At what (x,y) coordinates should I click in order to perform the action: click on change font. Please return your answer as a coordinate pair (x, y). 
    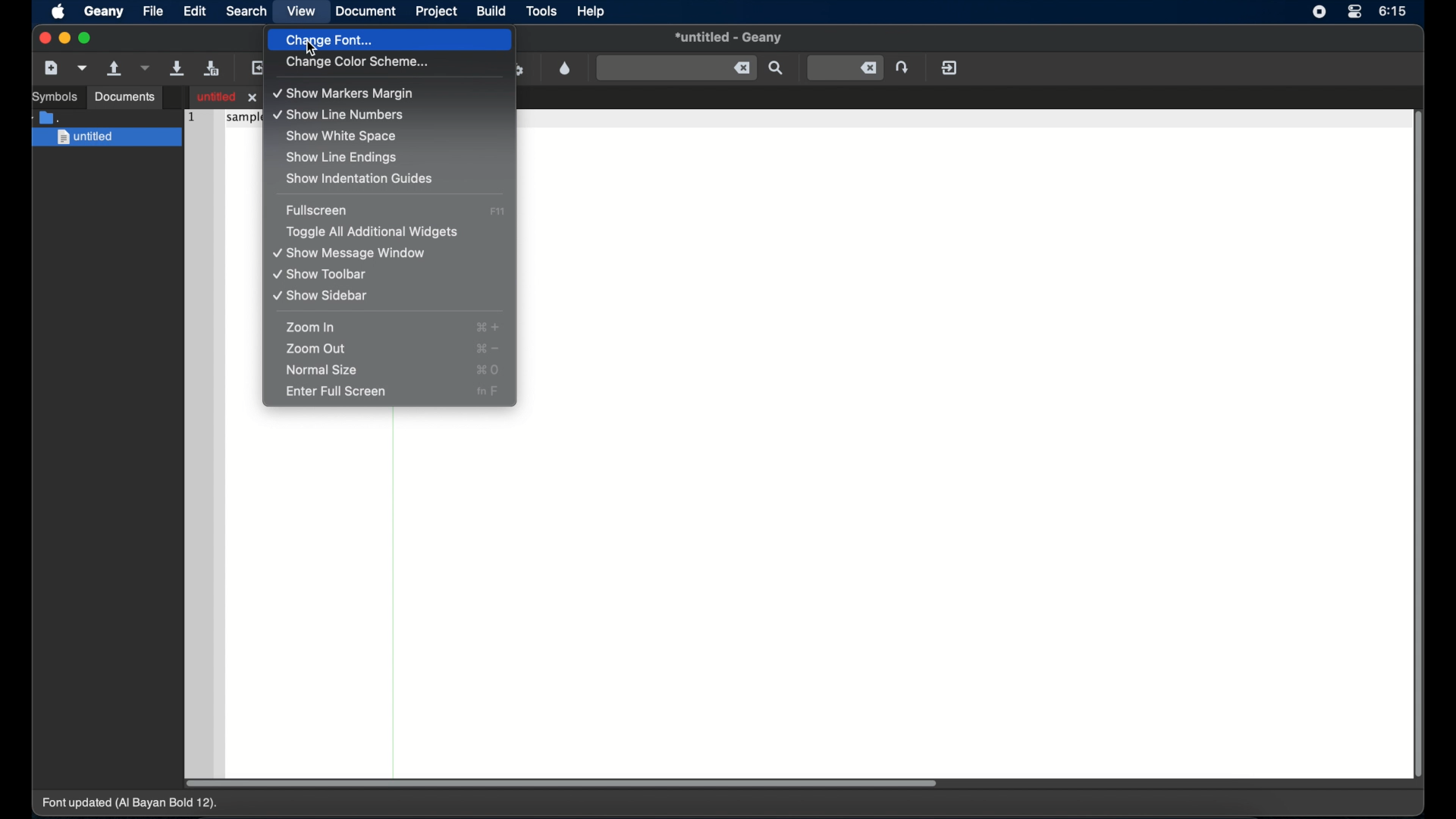
    Looking at the image, I should click on (391, 41).